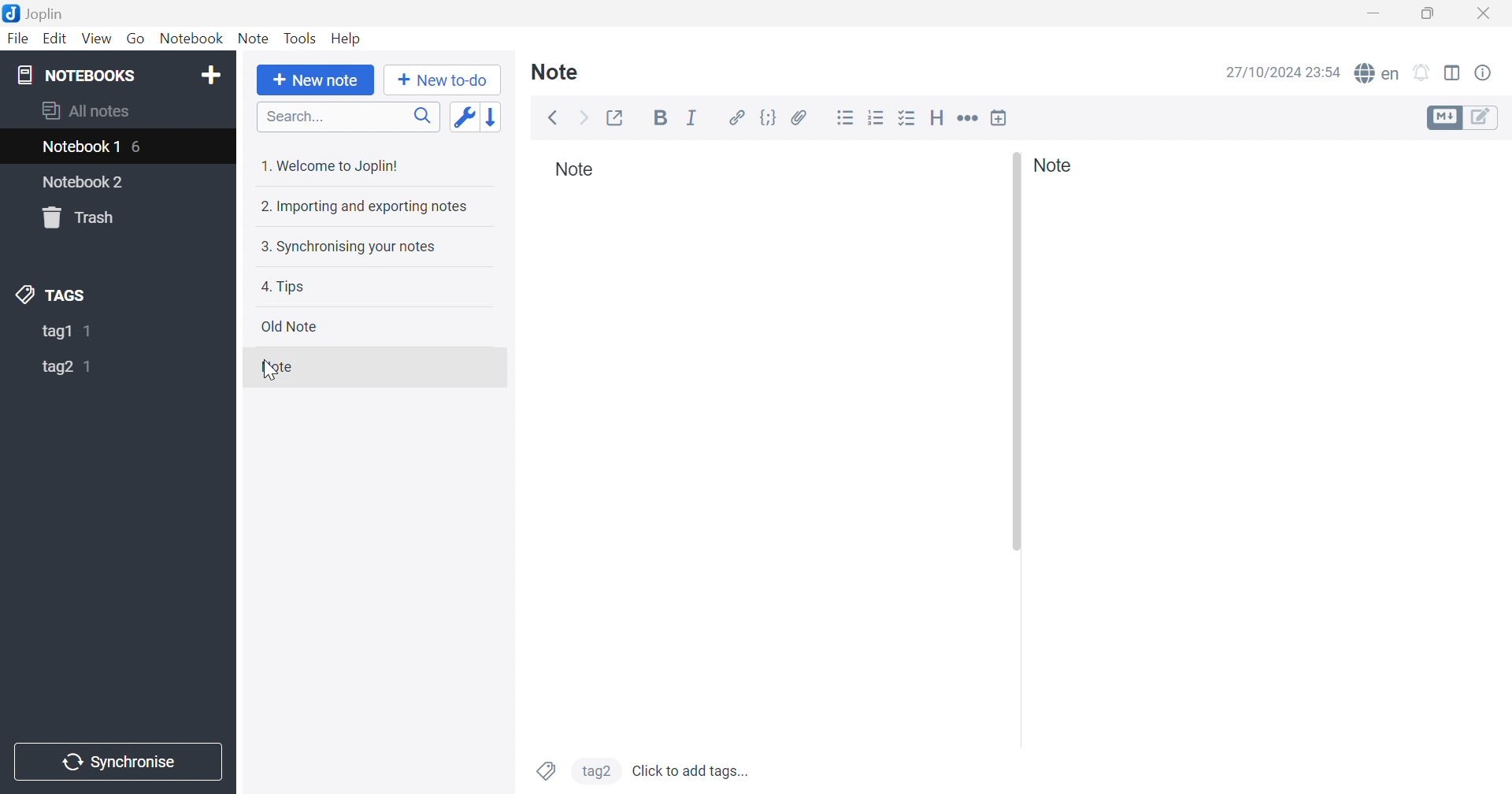  Describe the element at coordinates (1284, 72) in the screenshot. I see `27/10/2024 23:54` at that location.